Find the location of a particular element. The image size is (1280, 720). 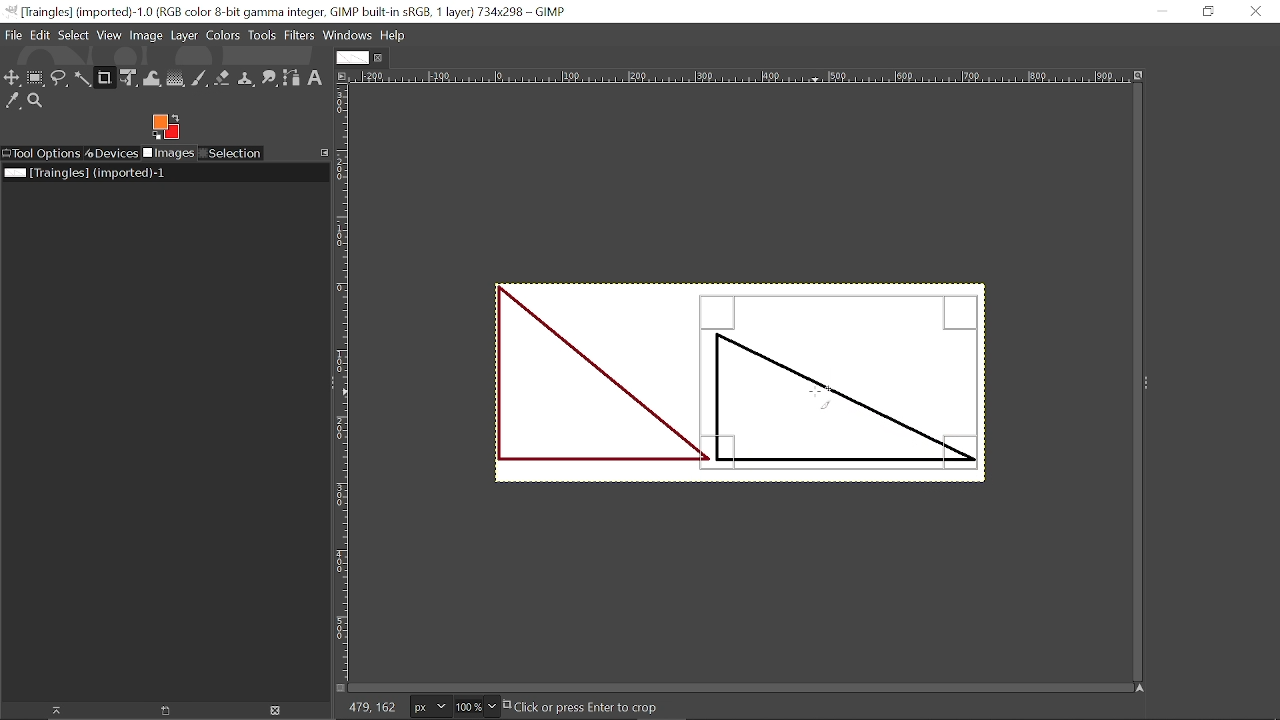

Text tool is located at coordinates (1148, 263).